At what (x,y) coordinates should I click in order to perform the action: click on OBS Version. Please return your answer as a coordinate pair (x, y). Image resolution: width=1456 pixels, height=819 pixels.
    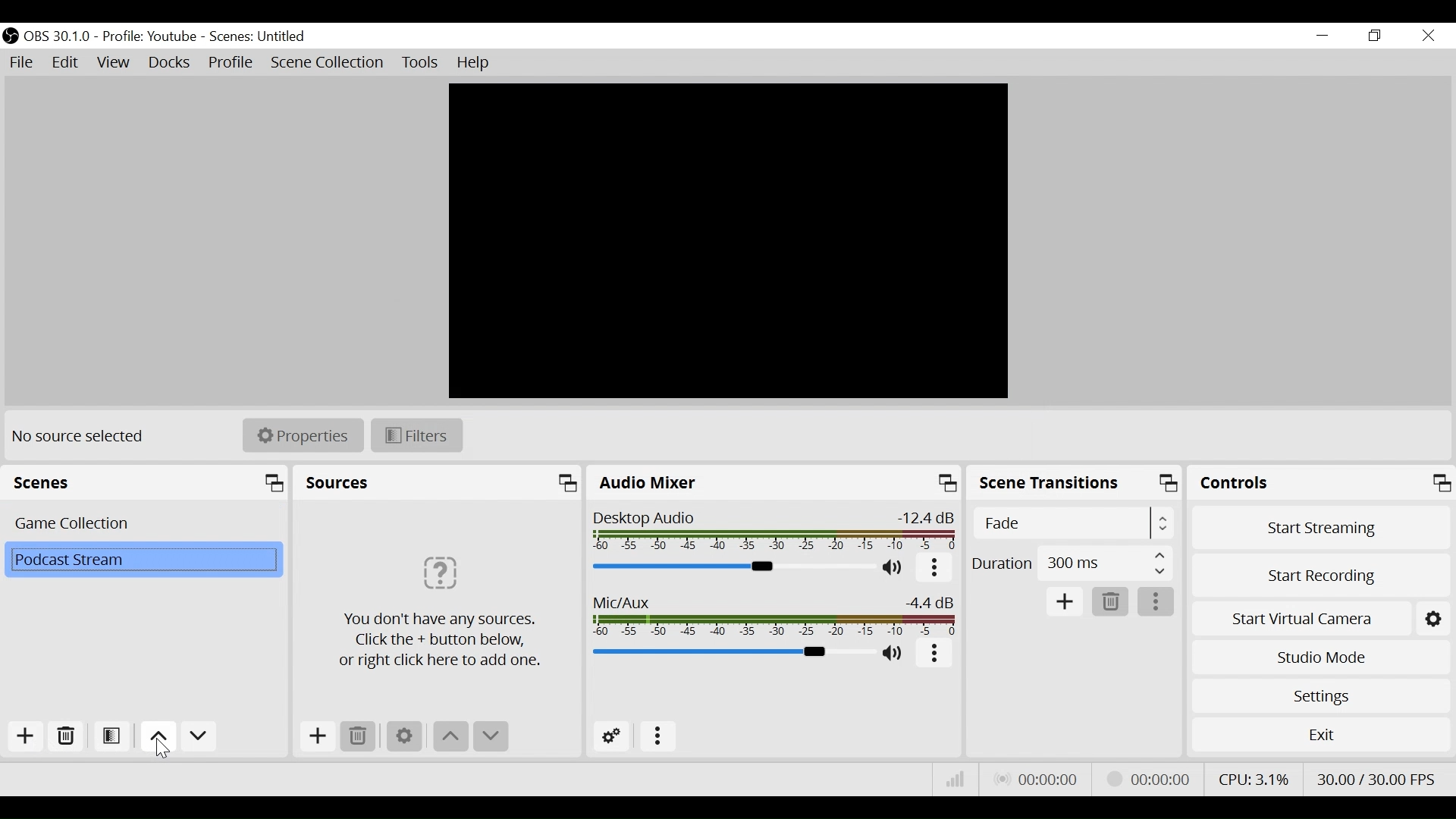
    Looking at the image, I should click on (60, 36).